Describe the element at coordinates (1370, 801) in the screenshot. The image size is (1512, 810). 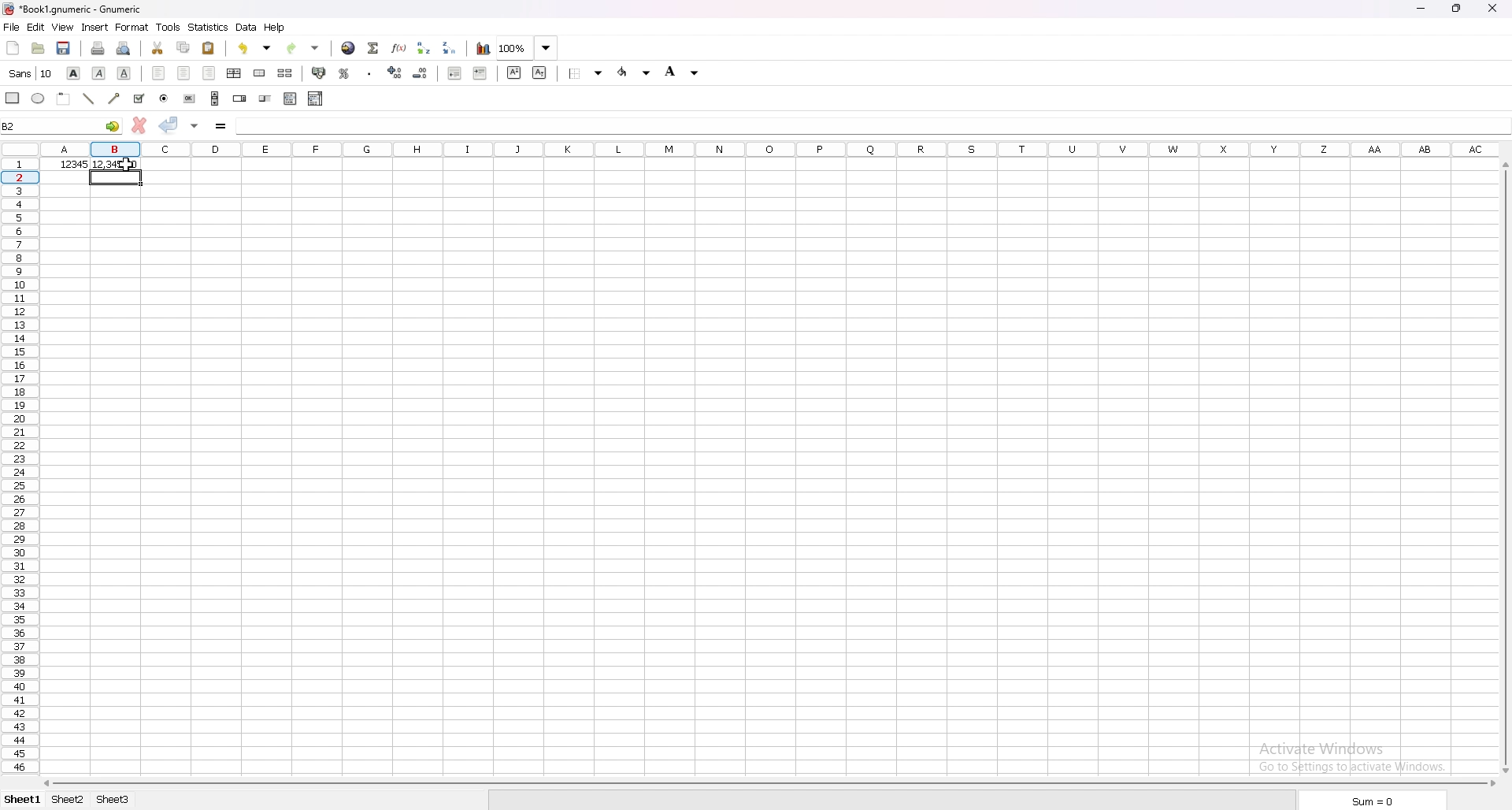
I see `sum=0` at that location.